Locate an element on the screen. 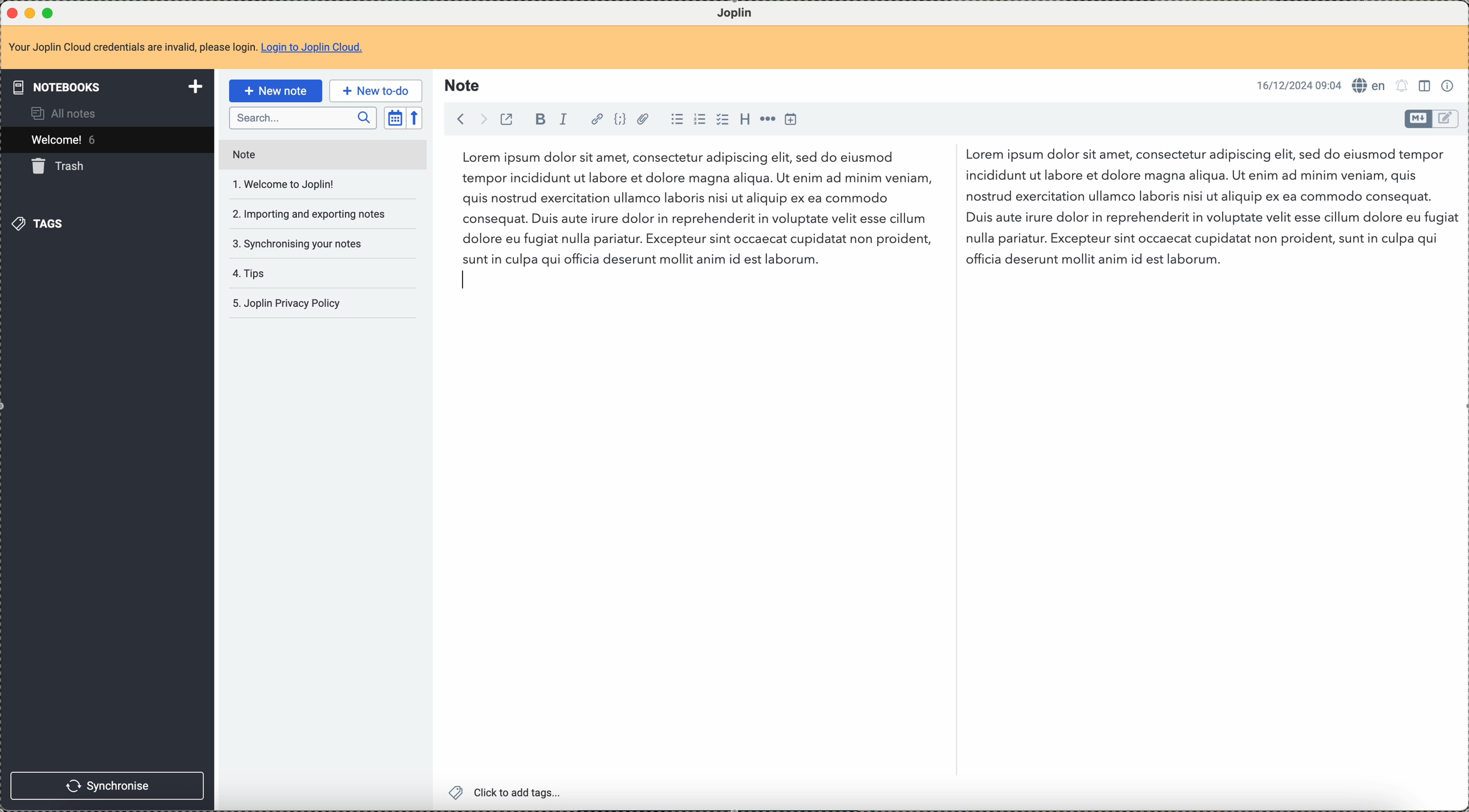 The image size is (1469, 812). attach file is located at coordinates (644, 119).